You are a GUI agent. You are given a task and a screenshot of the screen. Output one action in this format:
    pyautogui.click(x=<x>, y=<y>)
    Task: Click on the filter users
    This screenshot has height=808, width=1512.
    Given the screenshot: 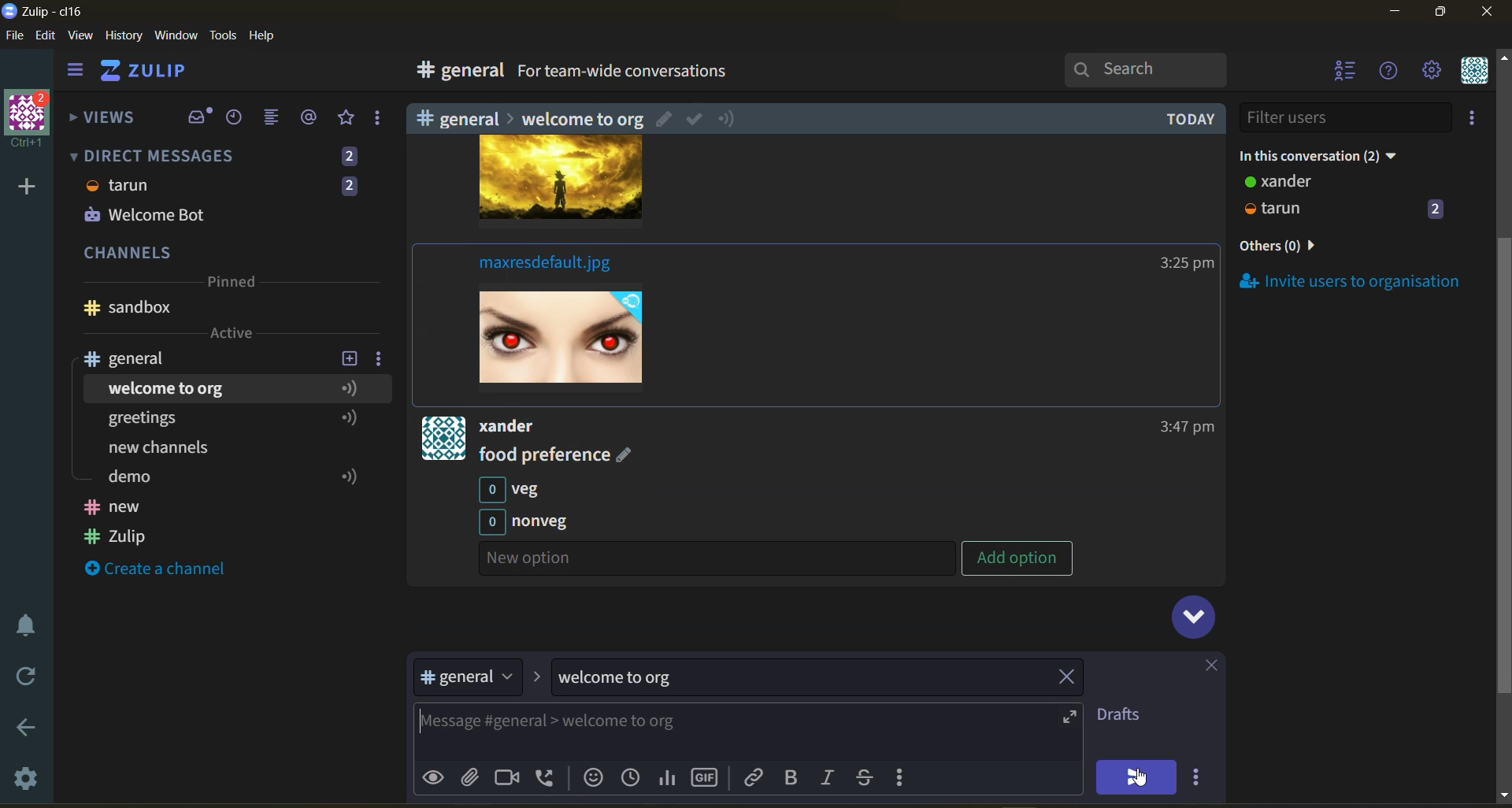 What is the action you would take?
    pyautogui.click(x=1347, y=117)
    